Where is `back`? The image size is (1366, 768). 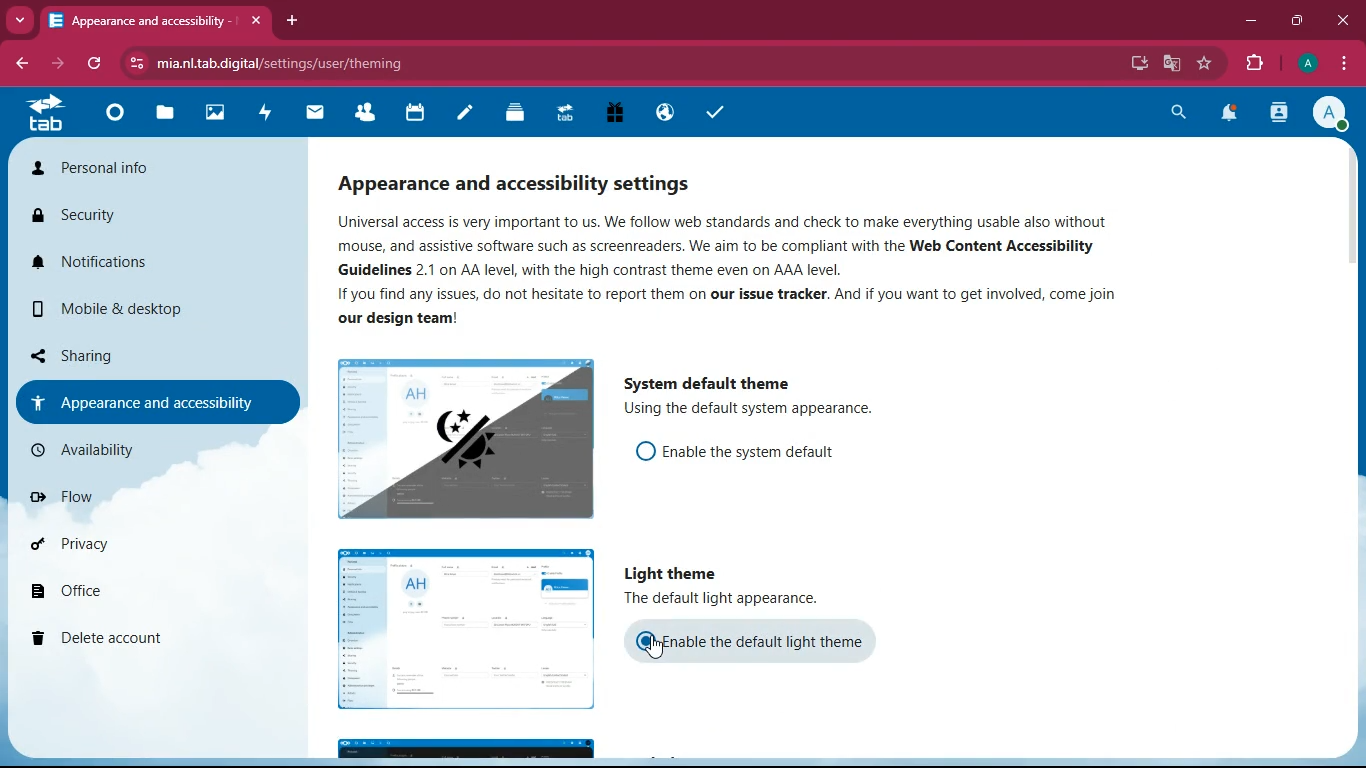 back is located at coordinates (24, 64).